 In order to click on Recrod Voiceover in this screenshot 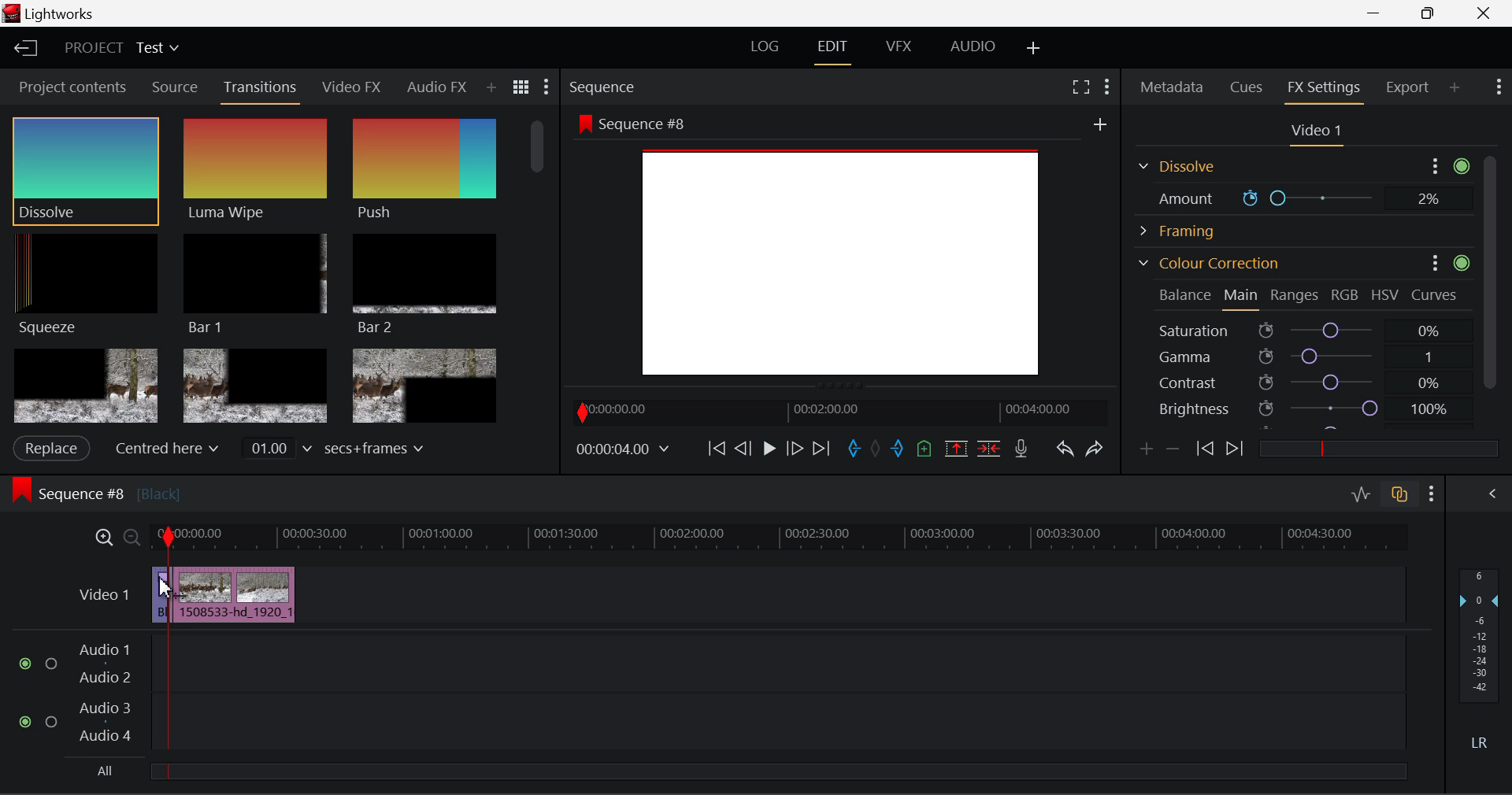, I will do `click(1021, 448)`.